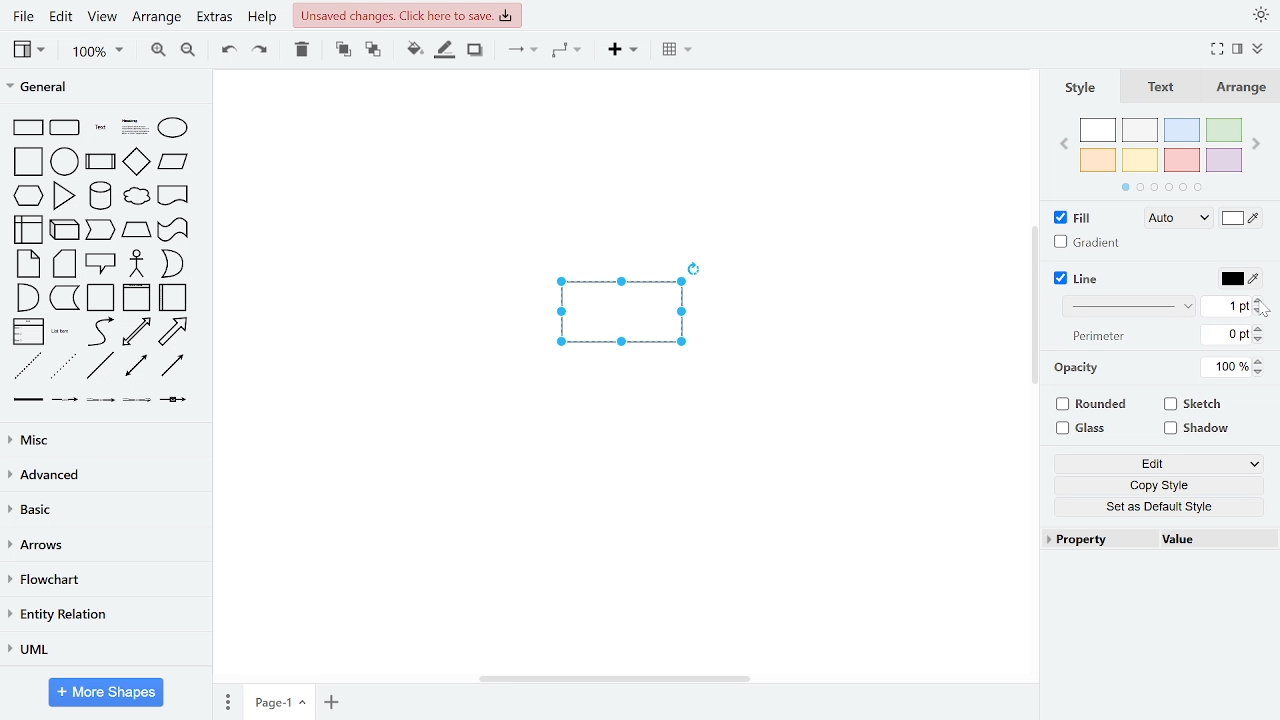 Image resolution: width=1280 pixels, height=720 pixels. What do you see at coordinates (100, 52) in the screenshot?
I see `zoom` at bounding box center [100, 52].